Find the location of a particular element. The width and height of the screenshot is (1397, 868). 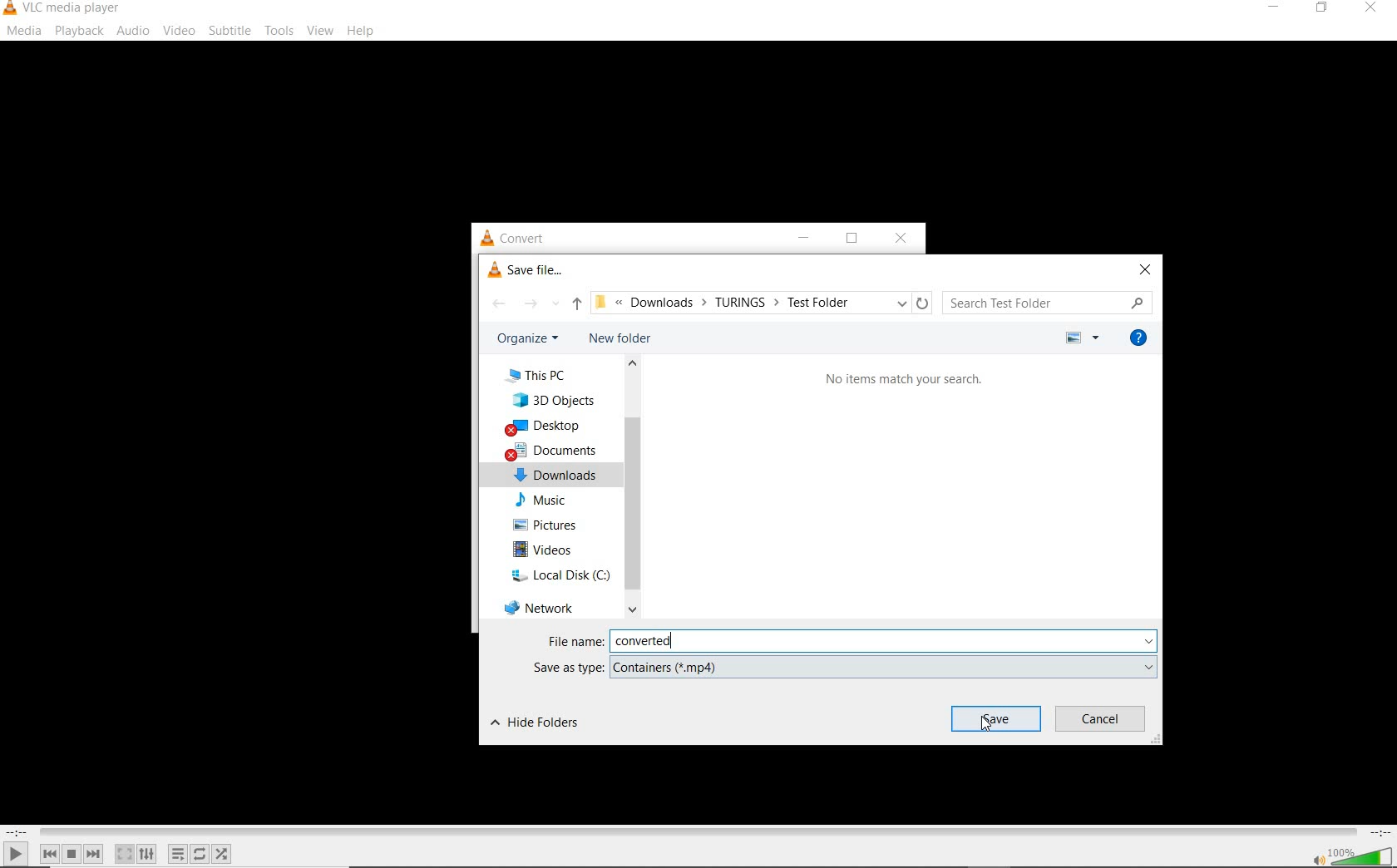

pictures is located at coordinates (550, 525).